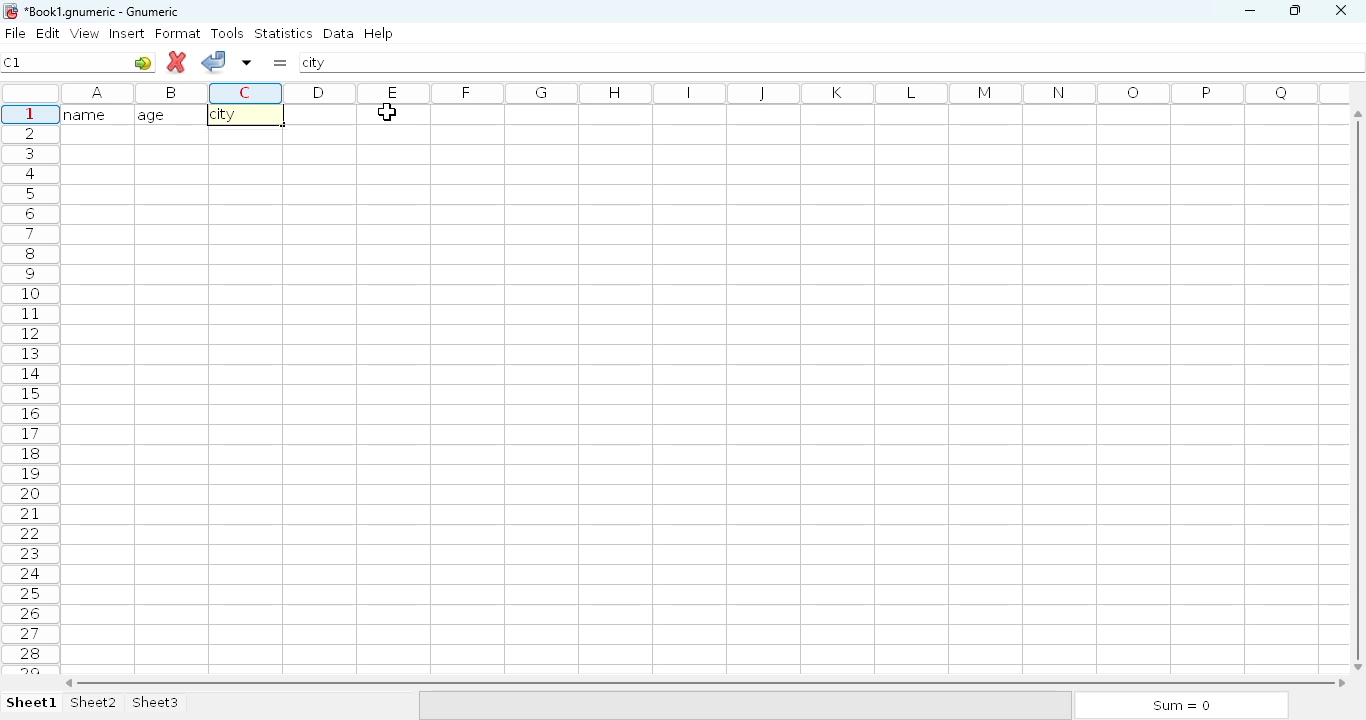 The width and height of the screenshot is (1366, 720). Describe the element at coordinates (833, 62) in the screenshot. I see `formula bar` at that location.